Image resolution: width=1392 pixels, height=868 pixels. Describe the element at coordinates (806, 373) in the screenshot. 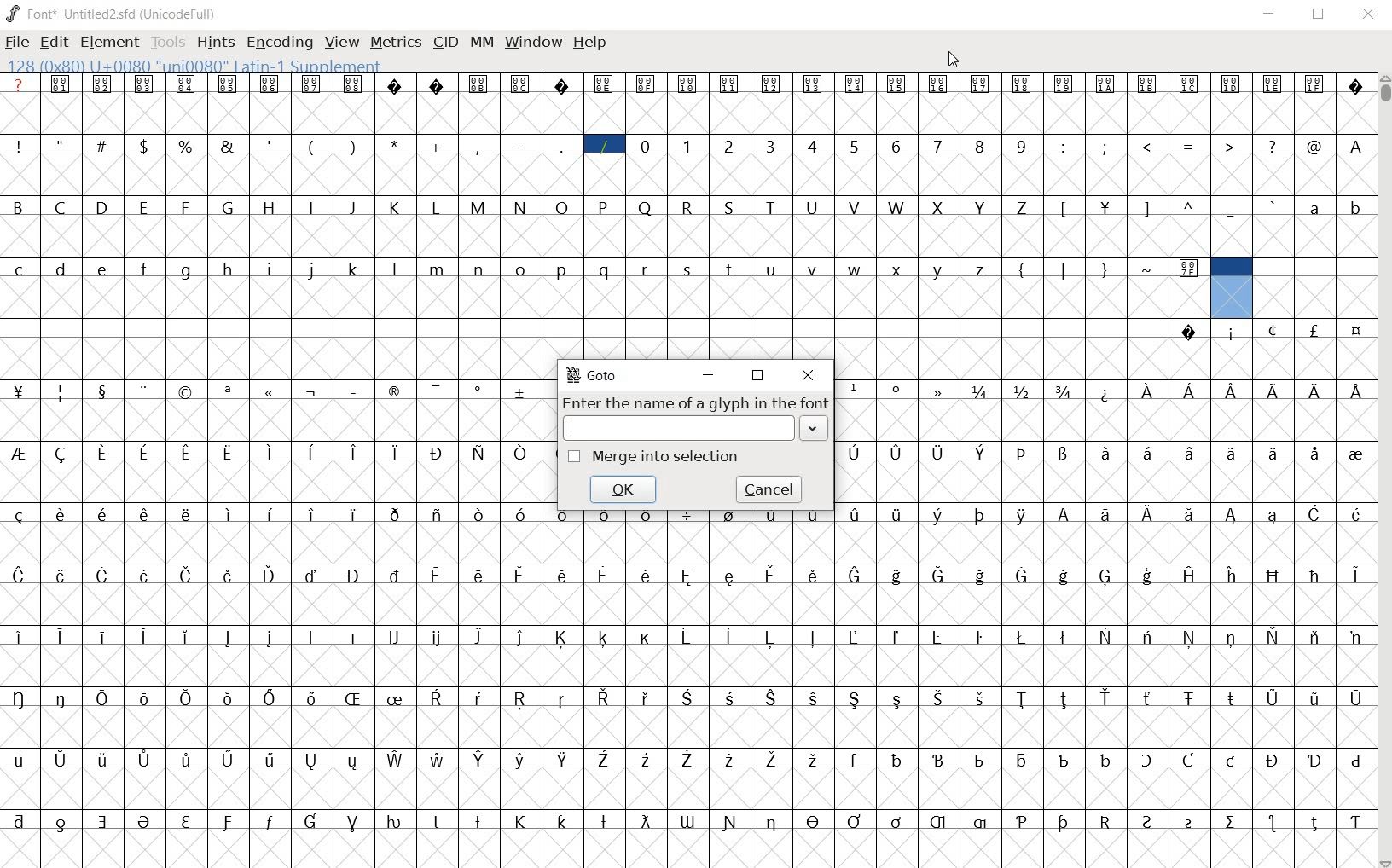

I see `close` at that location.